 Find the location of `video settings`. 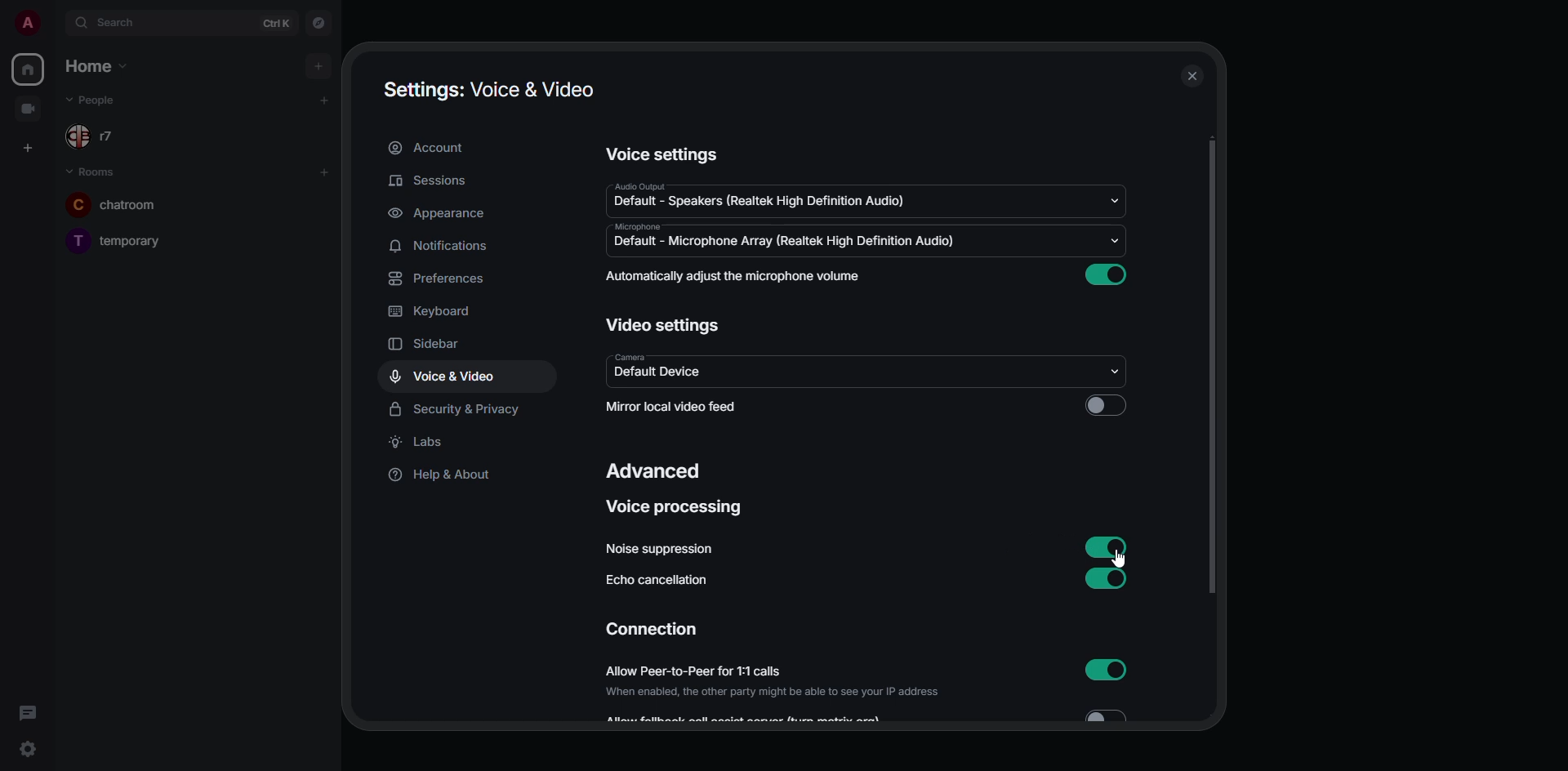

video settings is located at coordinates (664, 325).